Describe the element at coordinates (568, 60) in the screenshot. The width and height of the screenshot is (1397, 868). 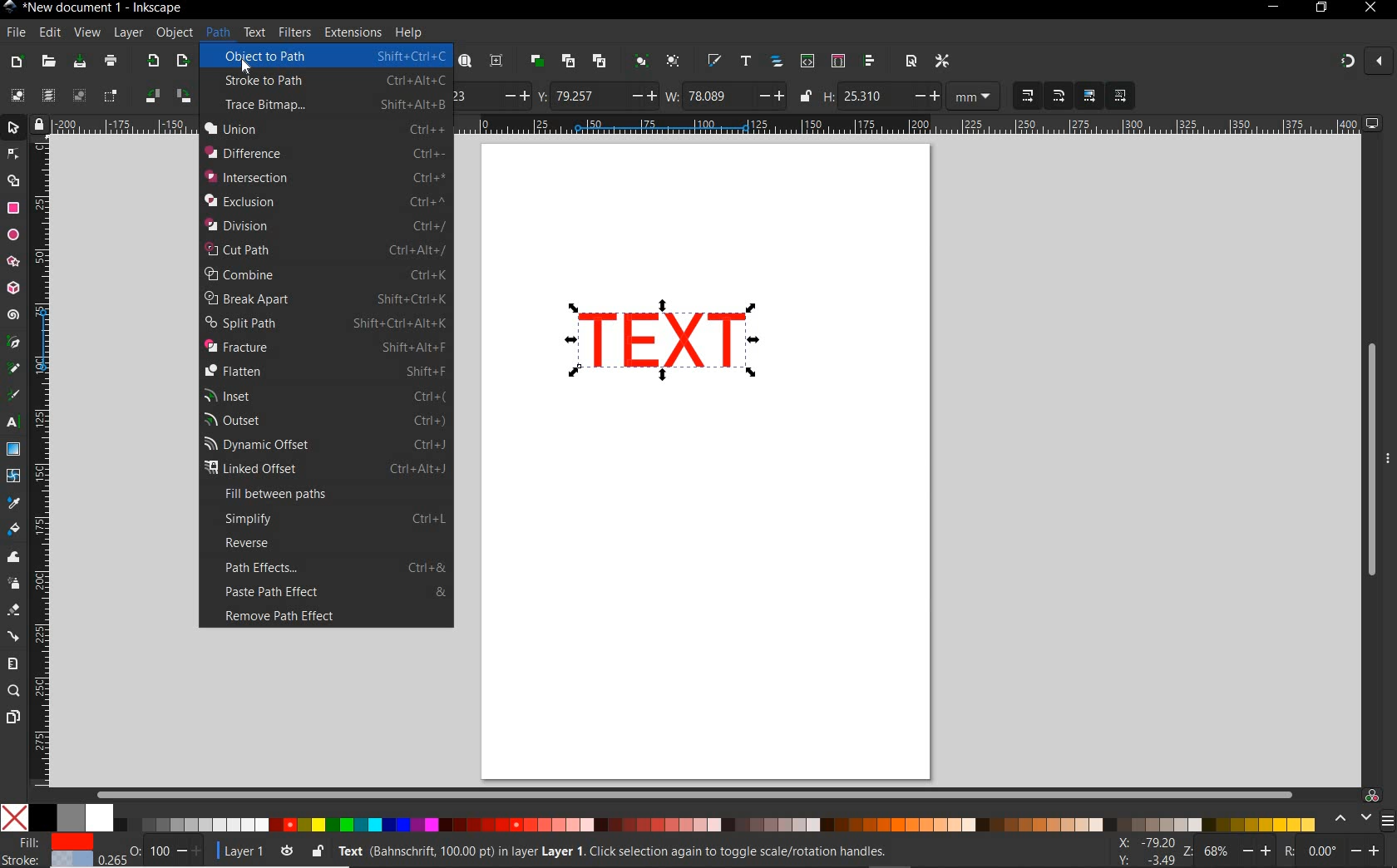
I see `CREATE CLONE` at that location.